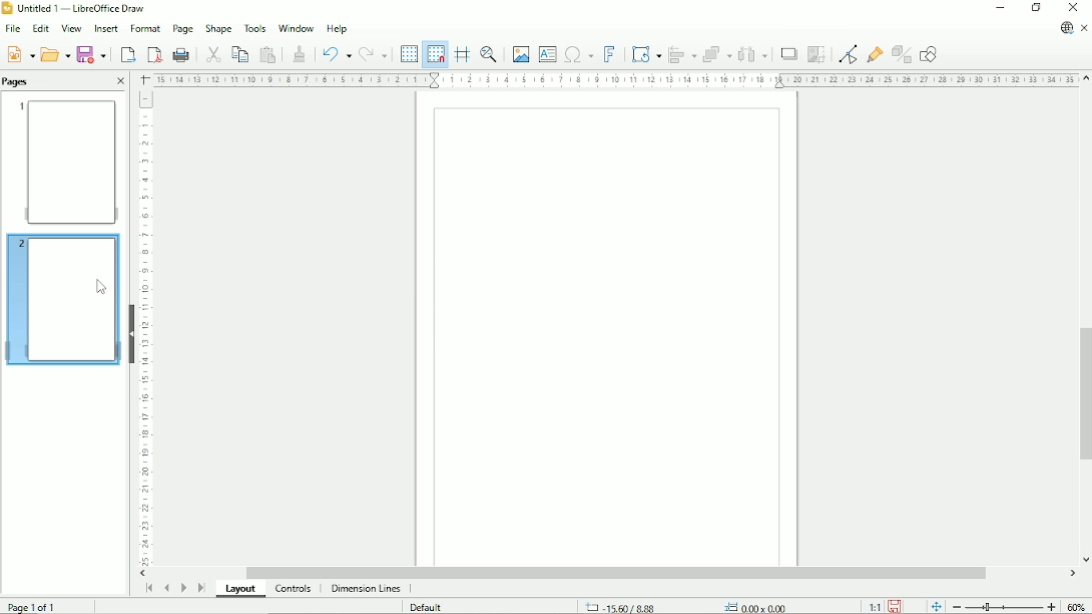 This screenshot has width=1092, height=614. What do you see at coordinates (1004, 606) in the screenshot?
I see `Zoom out/in` at bounding box center [1004, 606].